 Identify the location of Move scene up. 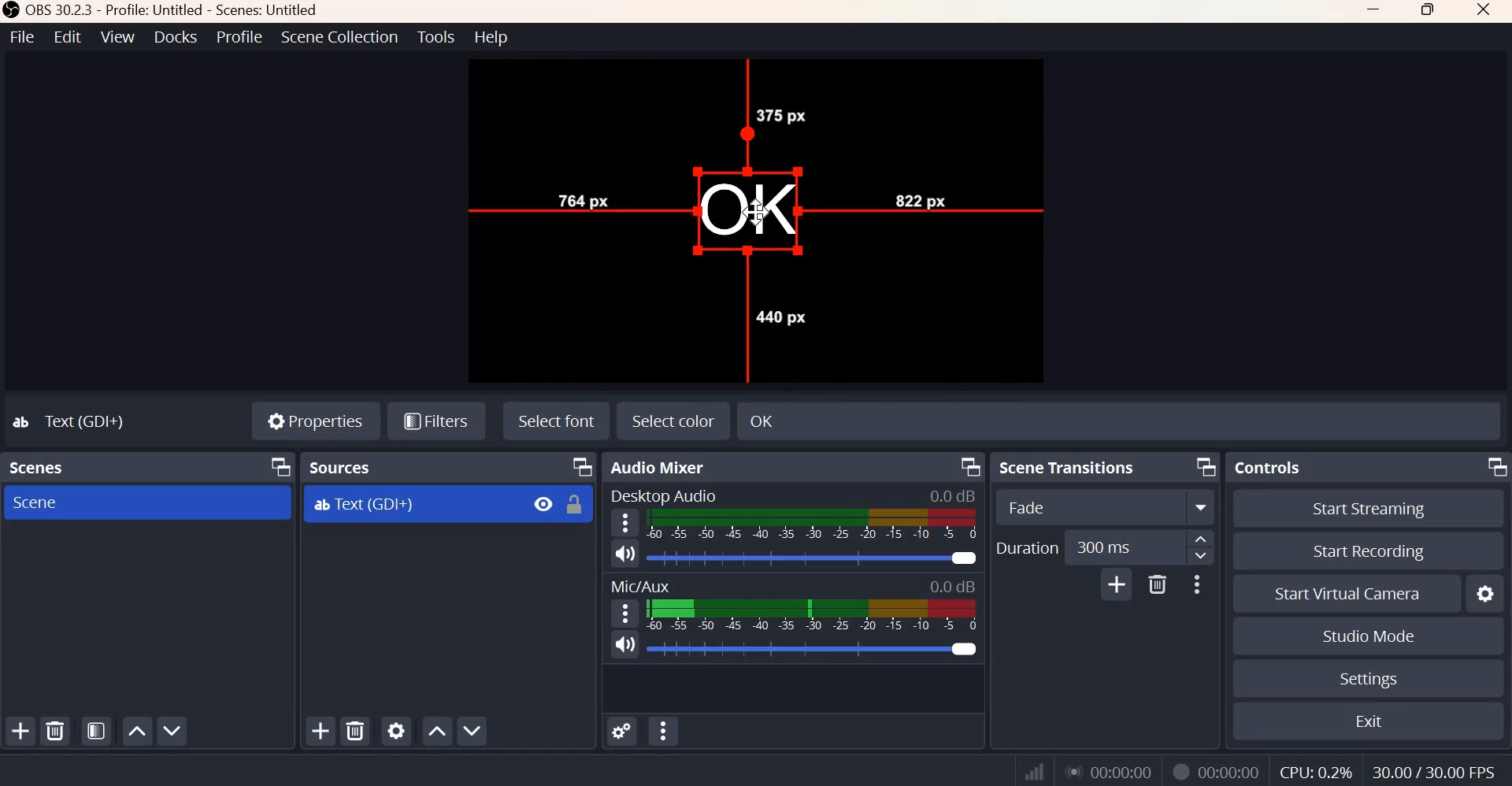
(135, 732).